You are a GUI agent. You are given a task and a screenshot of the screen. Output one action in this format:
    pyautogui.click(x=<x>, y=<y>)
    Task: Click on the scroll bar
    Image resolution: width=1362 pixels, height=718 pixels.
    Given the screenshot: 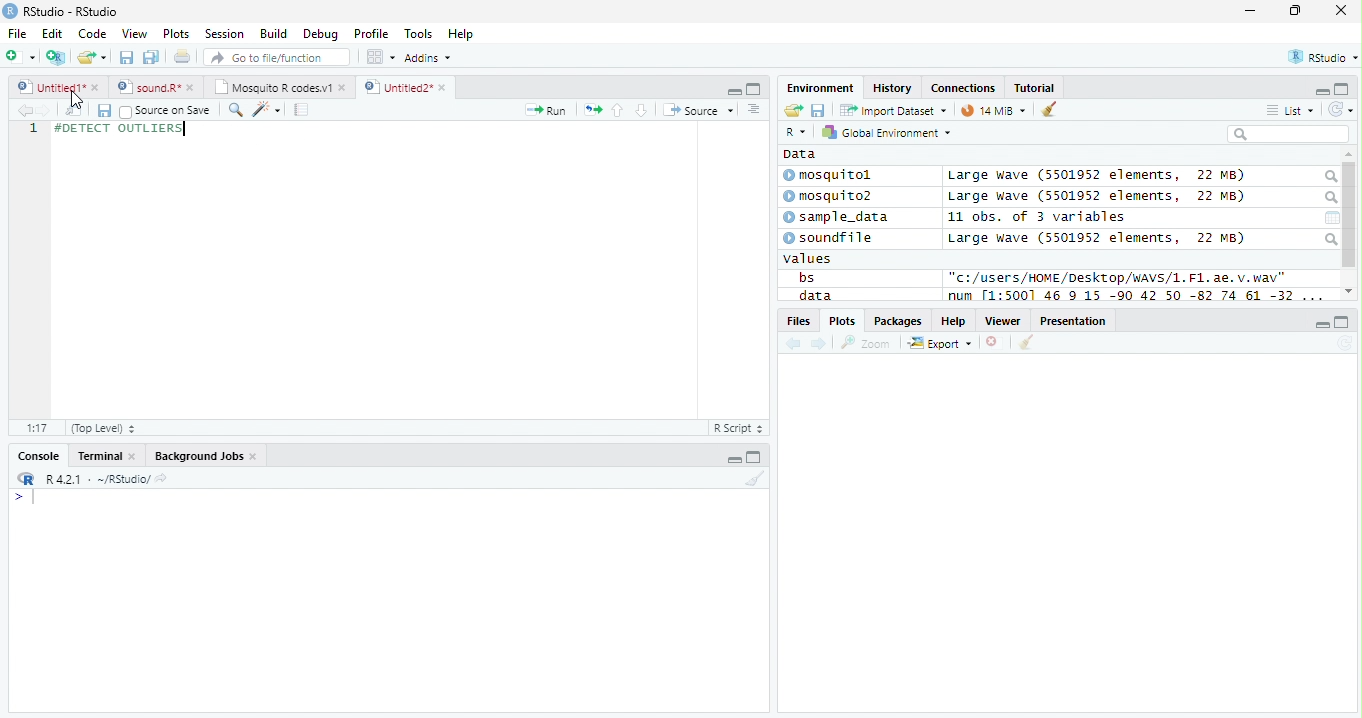 What is the action you would take?
    pyautogui.click(x=1350, y=215)
    